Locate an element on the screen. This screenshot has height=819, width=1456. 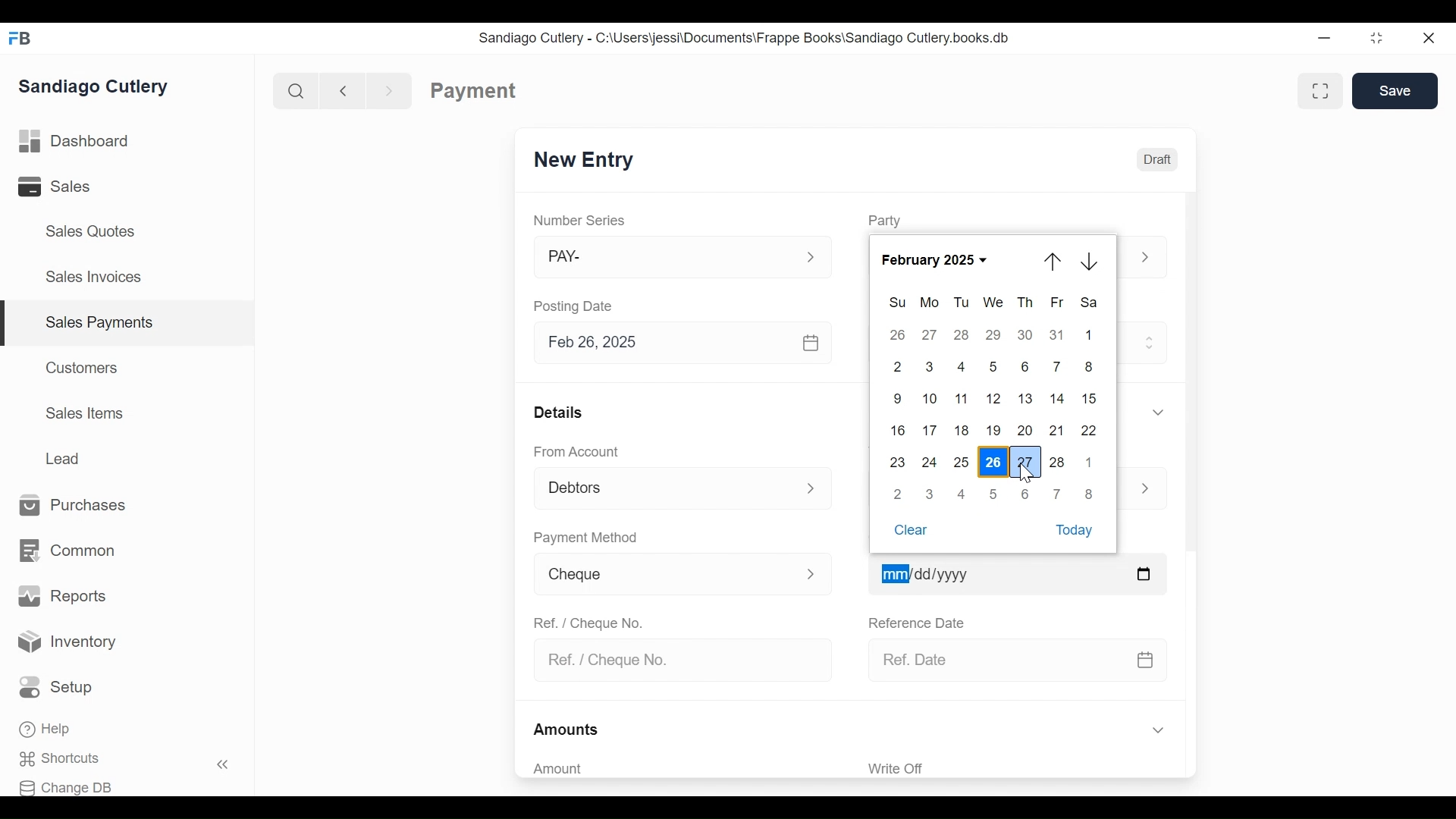
Arrow up is located at coordinates (1054, 262).